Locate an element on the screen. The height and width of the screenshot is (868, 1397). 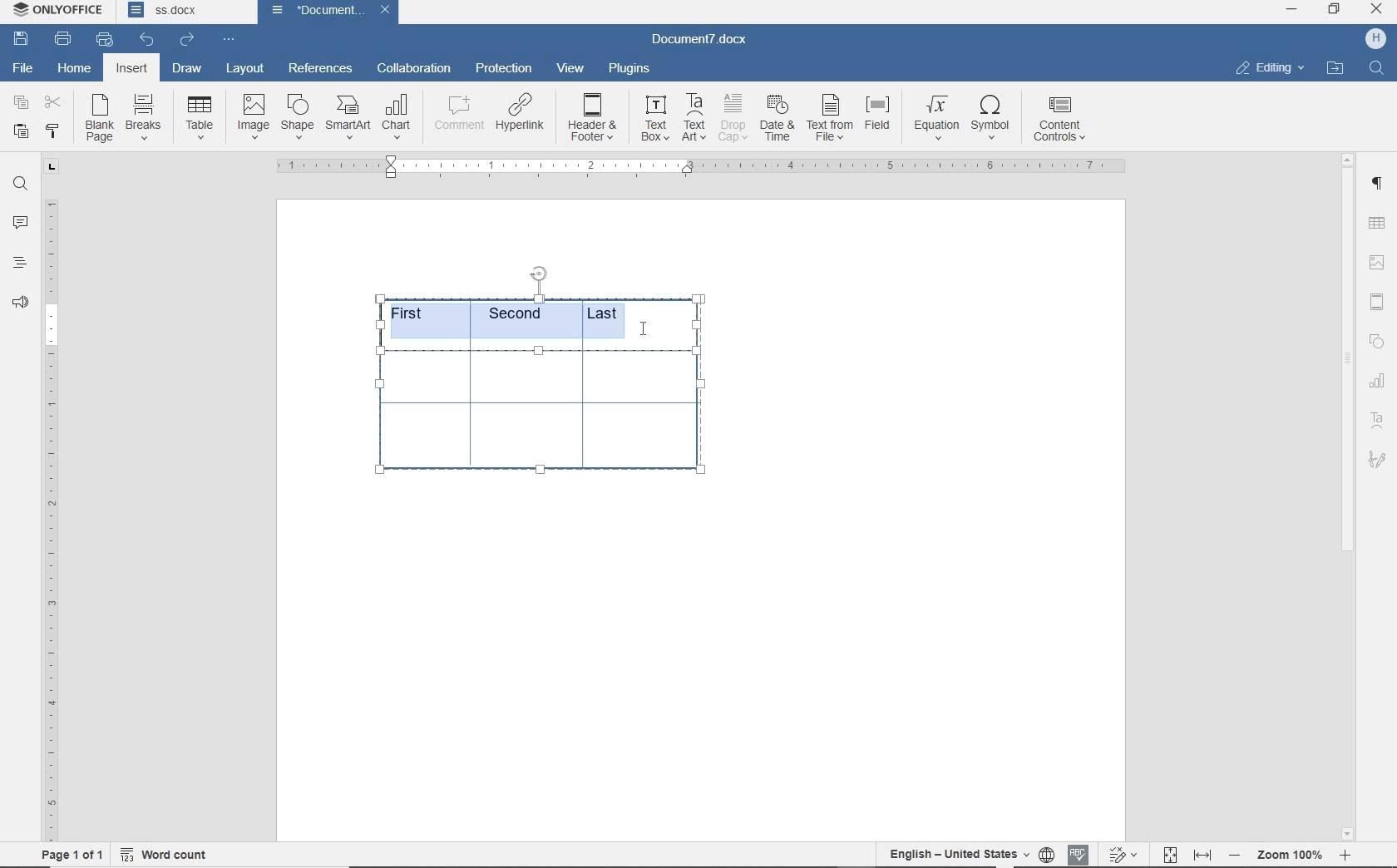
set document language is located at coordinates (1046, 852).